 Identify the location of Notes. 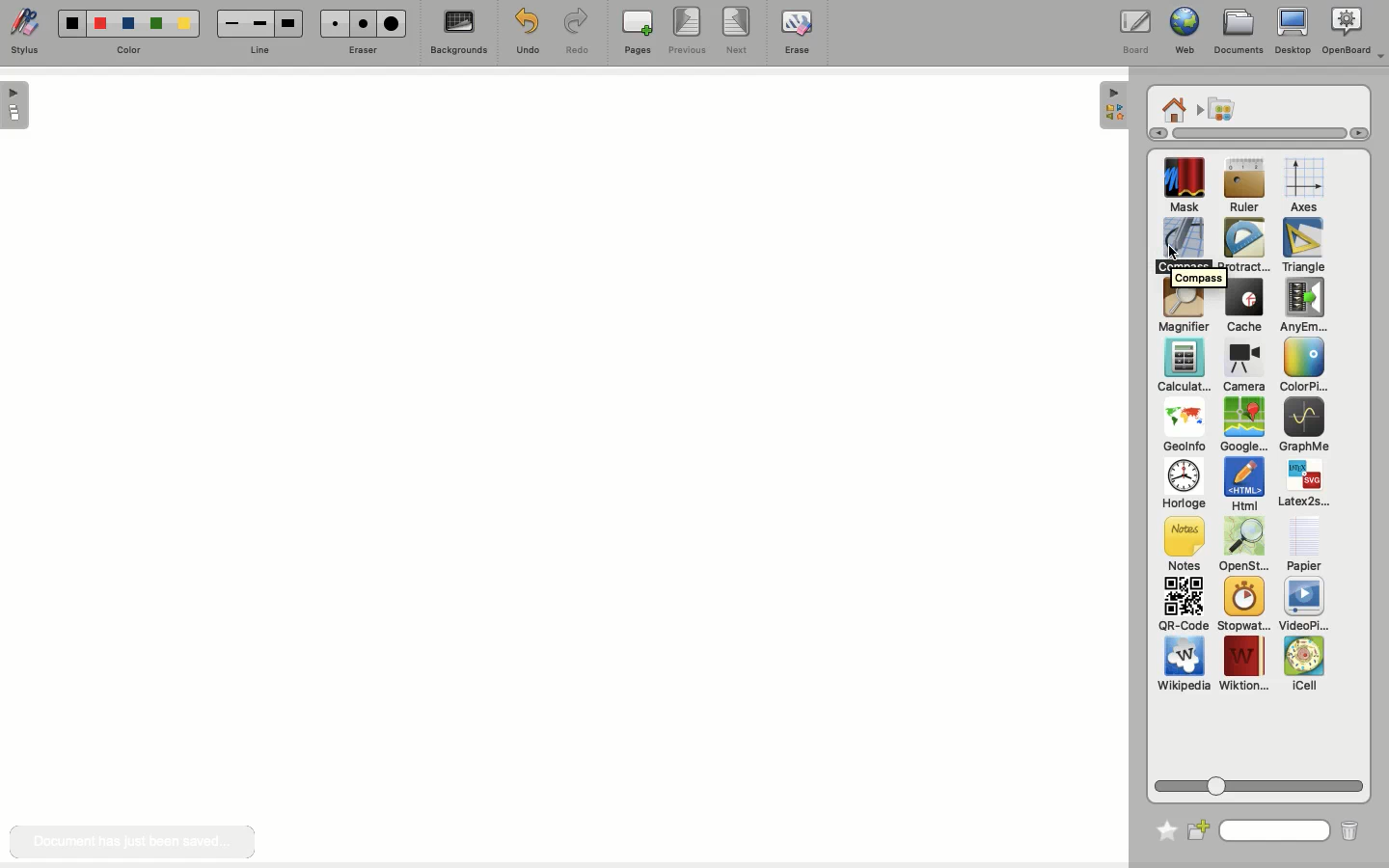
(1181, 545).